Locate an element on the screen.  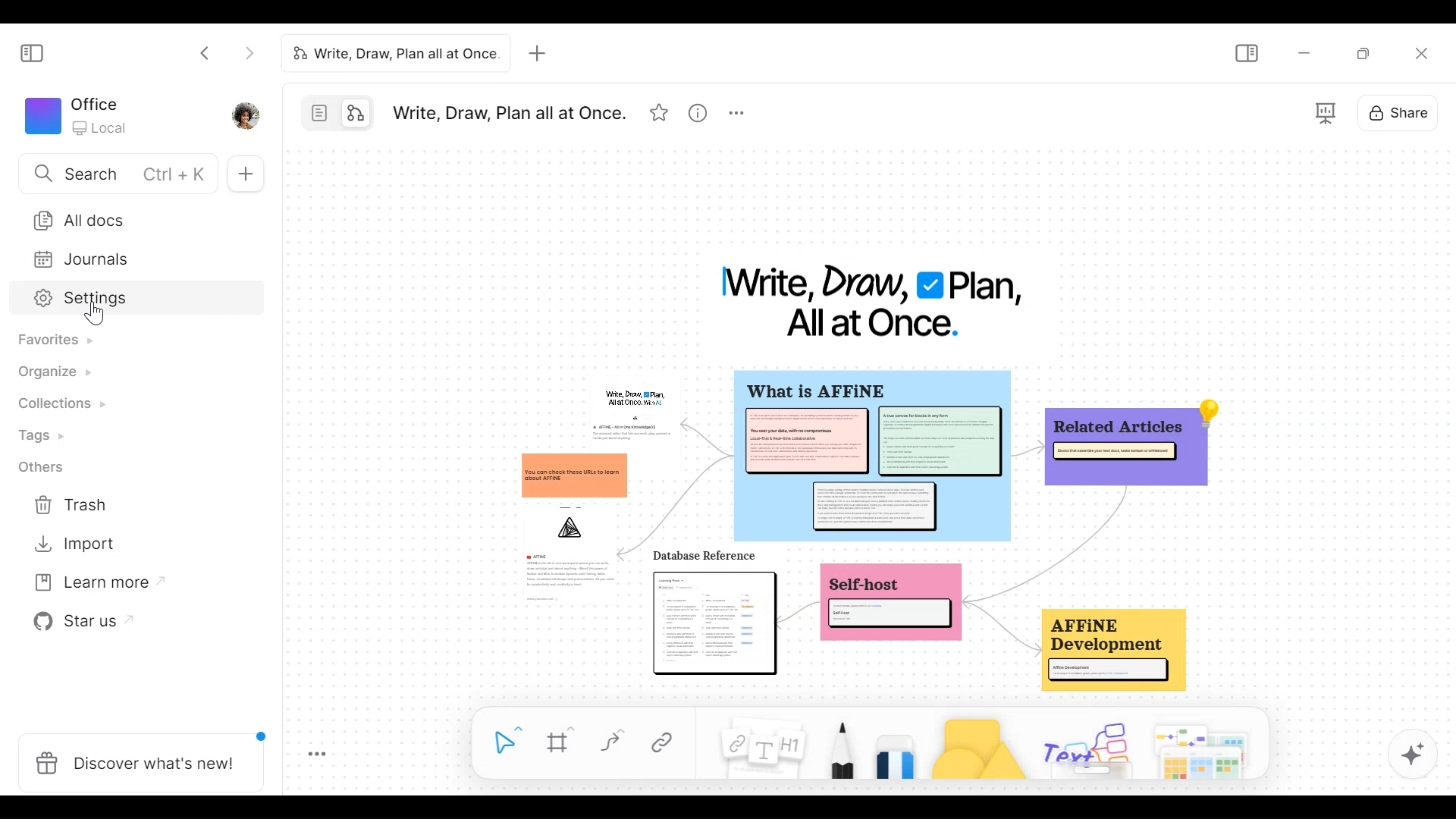
Journal is located at coordinates (77, 260).